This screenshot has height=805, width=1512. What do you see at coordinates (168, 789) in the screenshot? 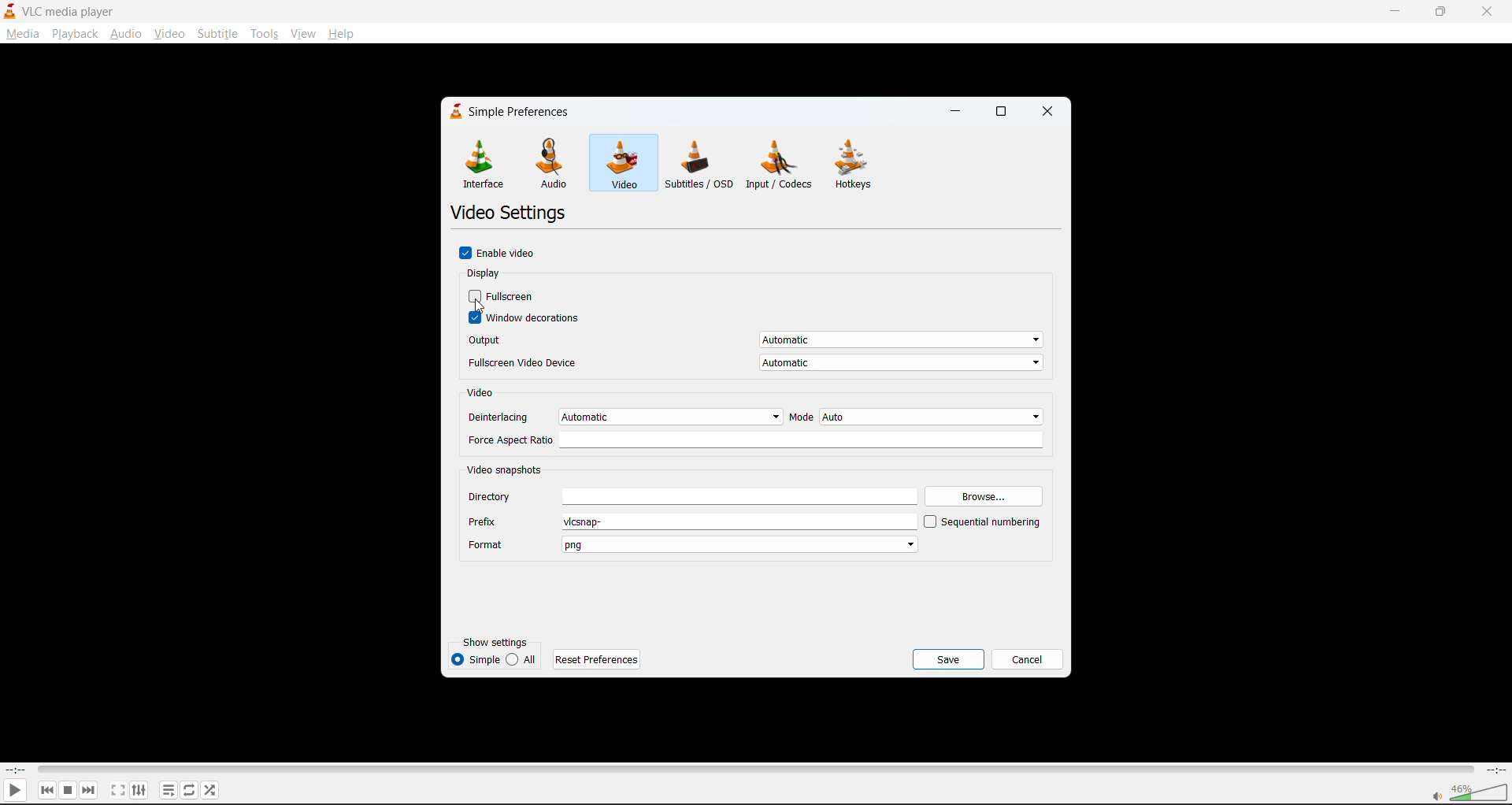
I see `playlist` at bounding box center [168, 789].